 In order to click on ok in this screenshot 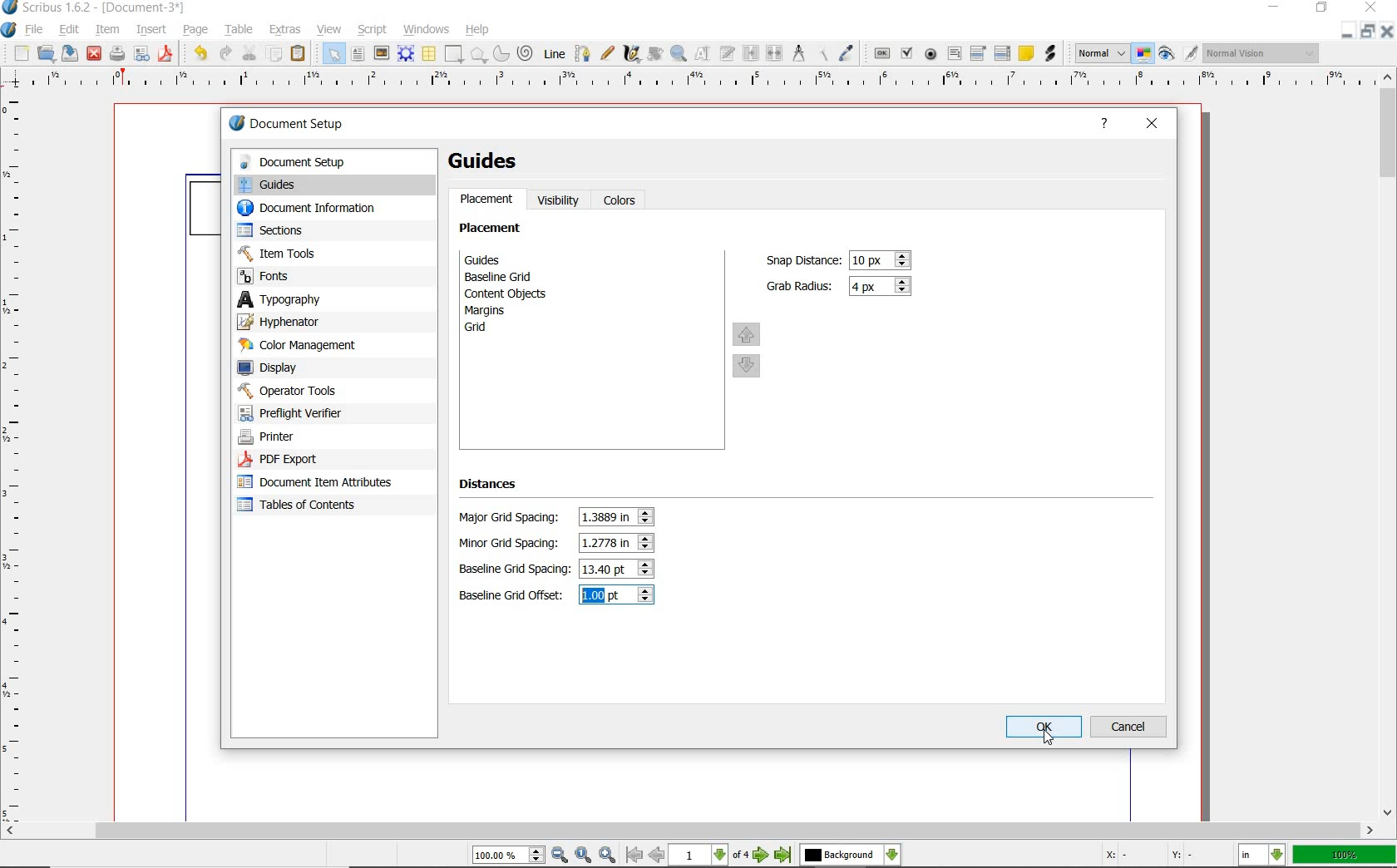, I will do `click(1044, 727)`.